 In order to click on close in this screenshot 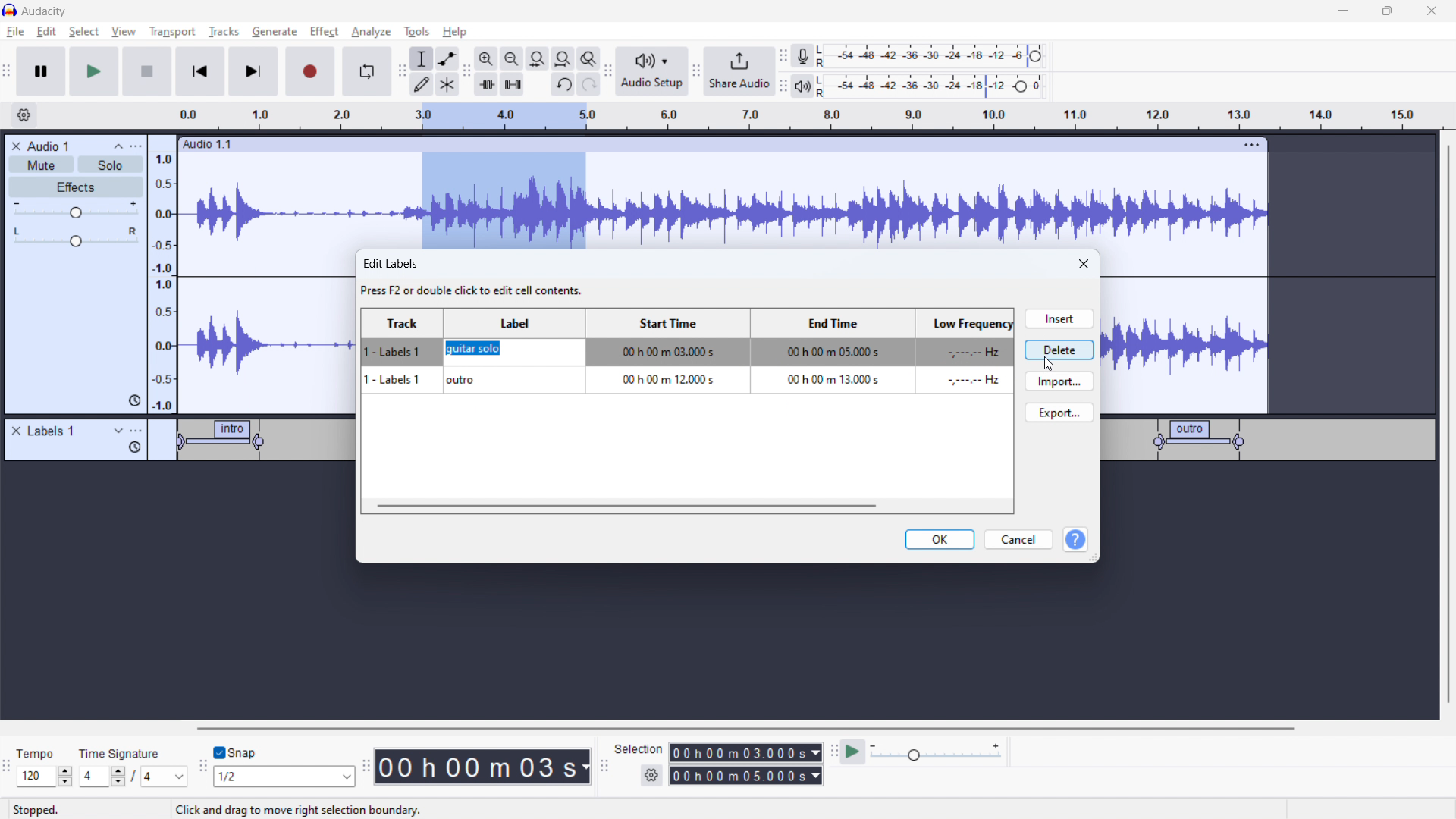, I will do `click(1085, 265)`.